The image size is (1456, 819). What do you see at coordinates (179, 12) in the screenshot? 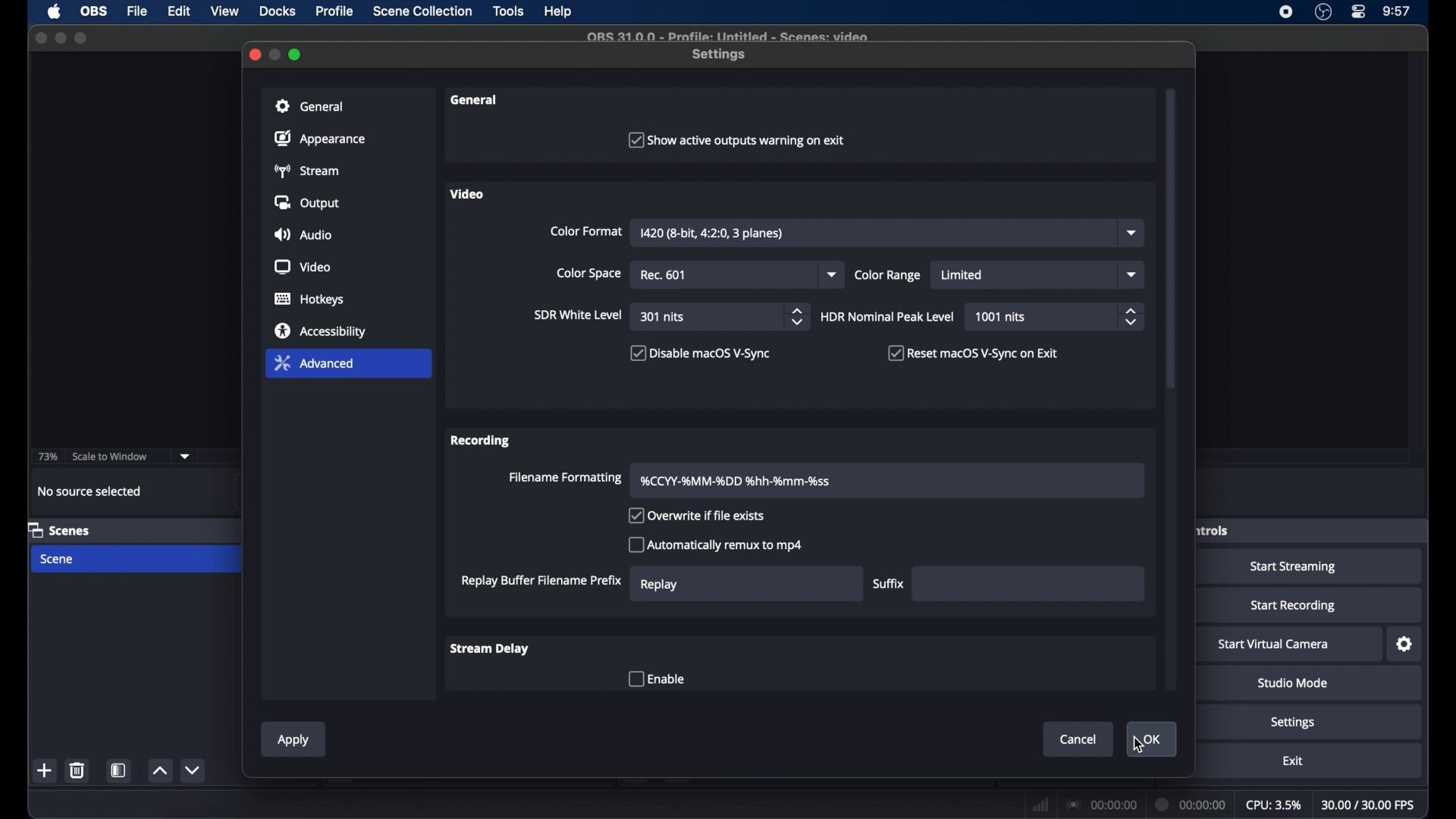
I see `edit` at bounding box center [179, 12].